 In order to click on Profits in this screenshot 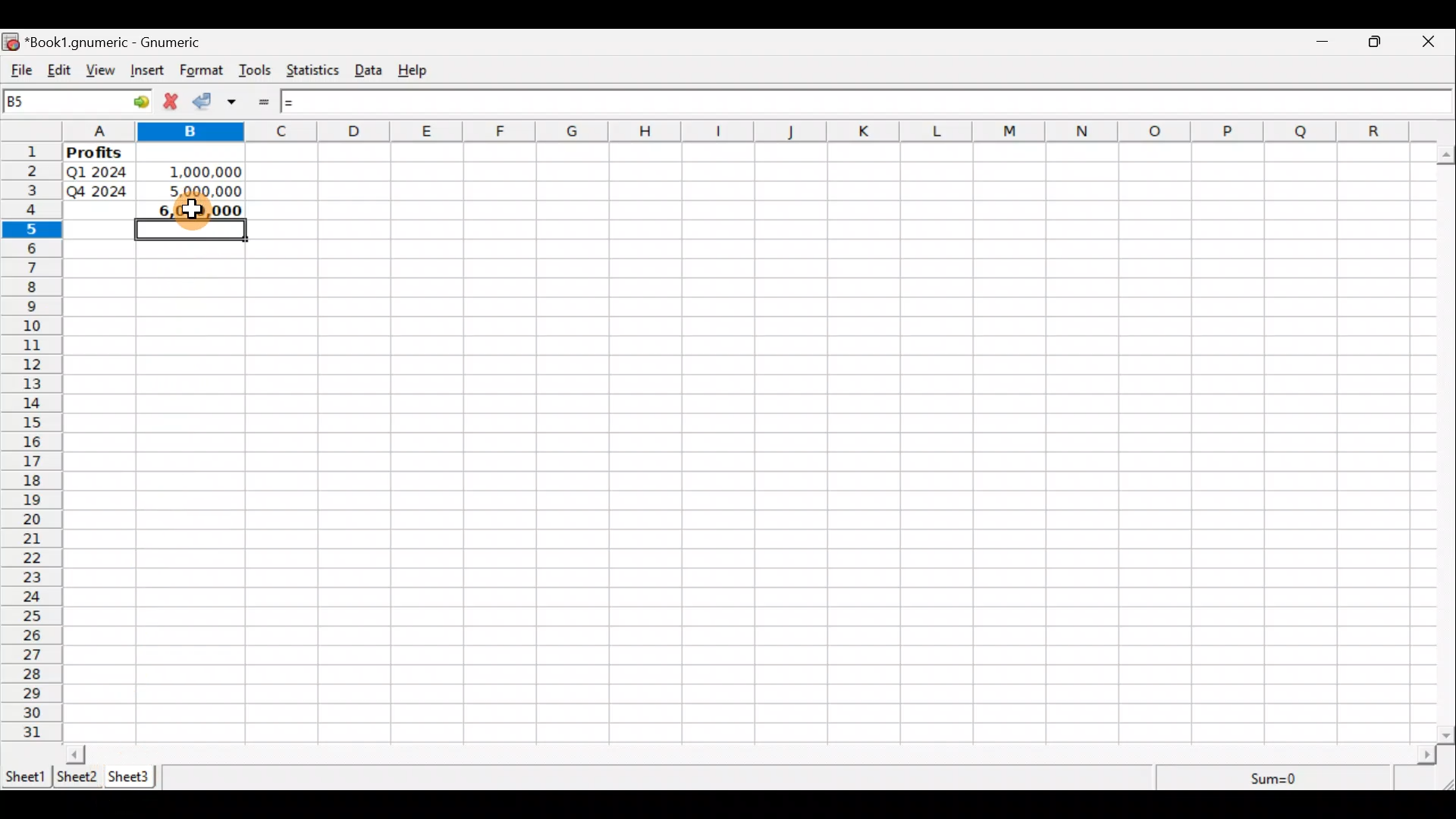, I will do `click(99, 152)`.